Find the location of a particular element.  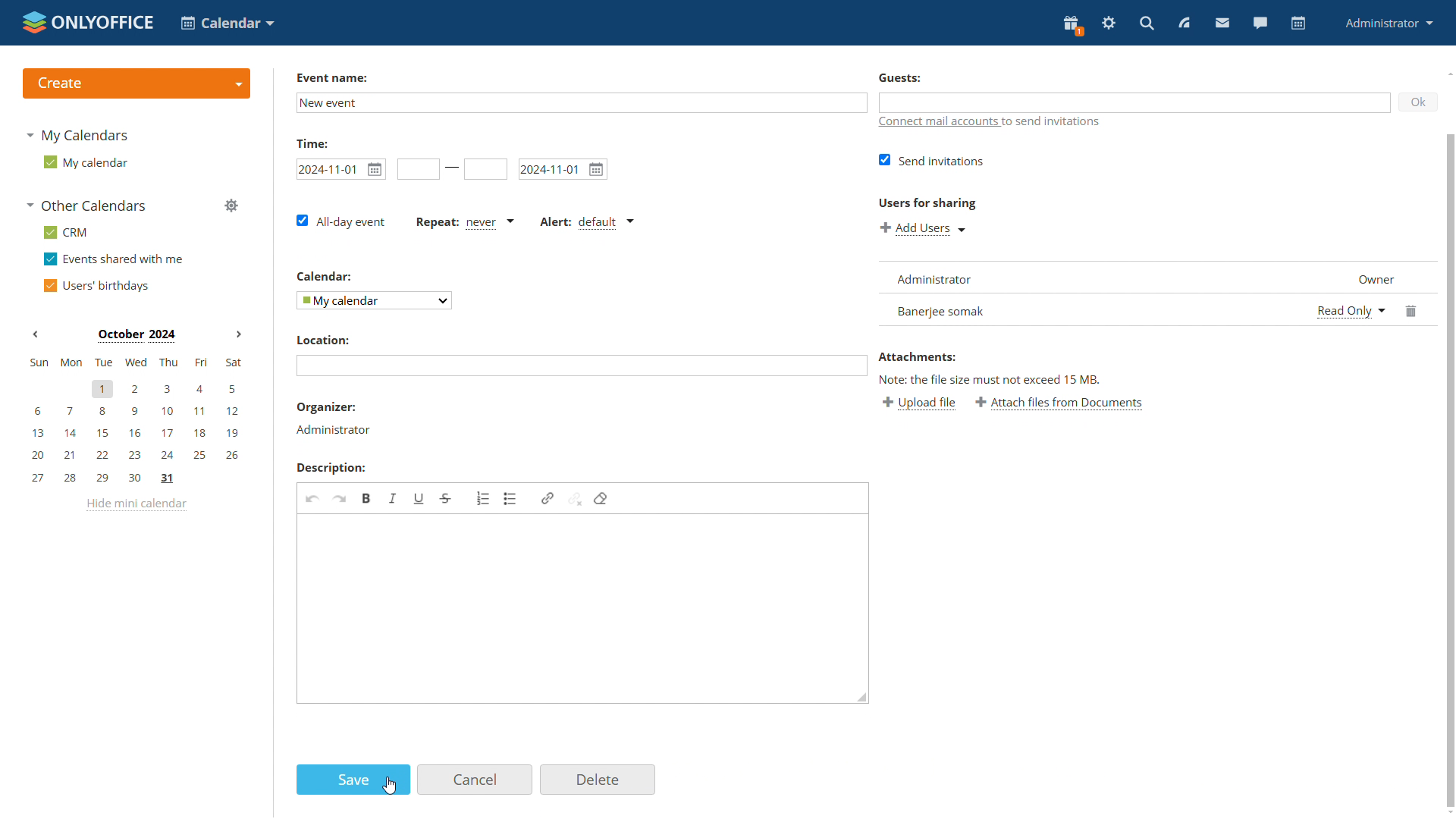

Note: the file size must not exceed 15 mb is located at coordinates (991, 380).